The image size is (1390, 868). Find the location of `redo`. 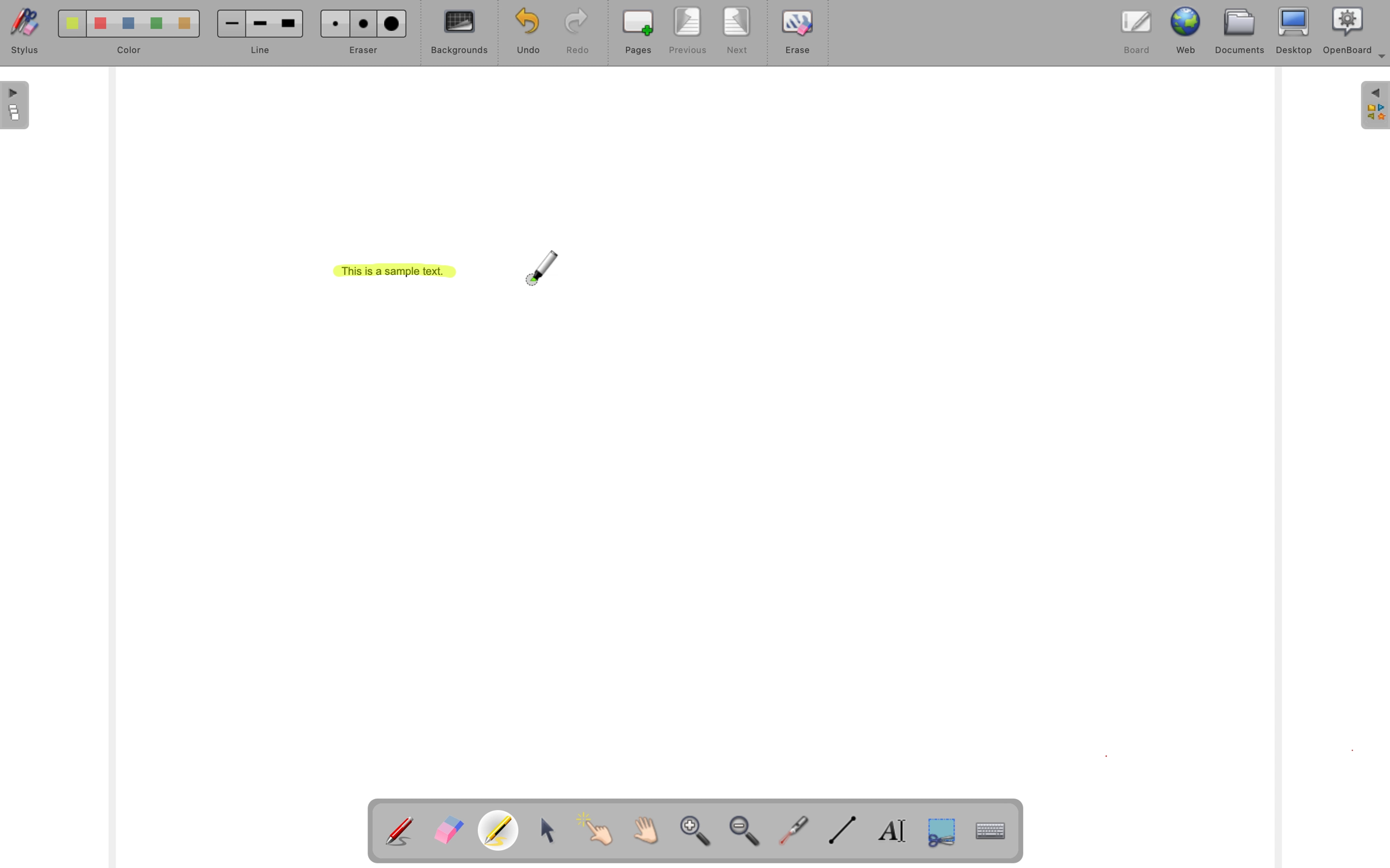

redo is located at coordinates (572, 33).